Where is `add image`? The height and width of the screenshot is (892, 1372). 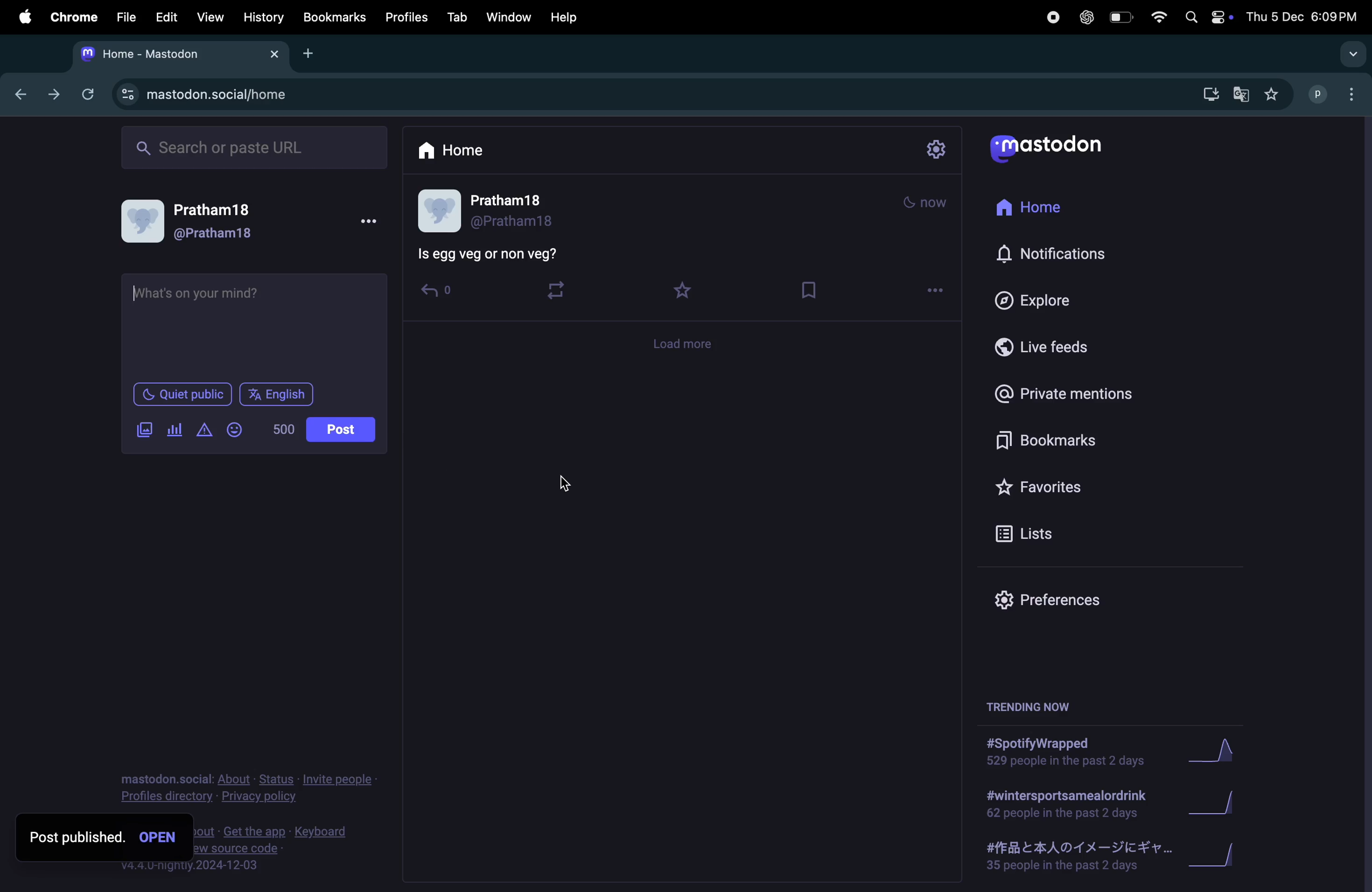
add image is located at coordinates (145, 429).